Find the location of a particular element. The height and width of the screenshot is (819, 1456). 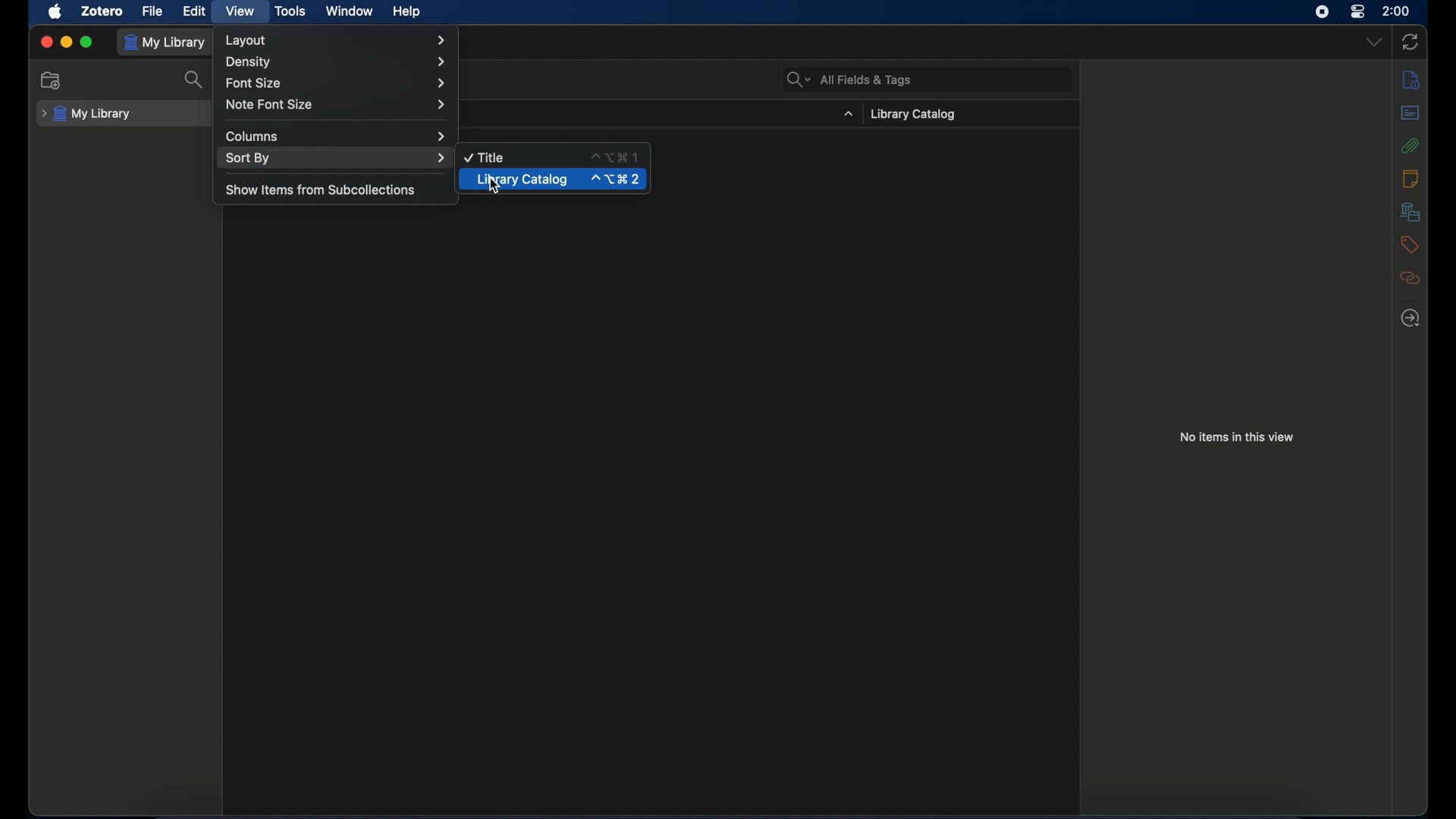

locate is located at coordinates (1410, 318).